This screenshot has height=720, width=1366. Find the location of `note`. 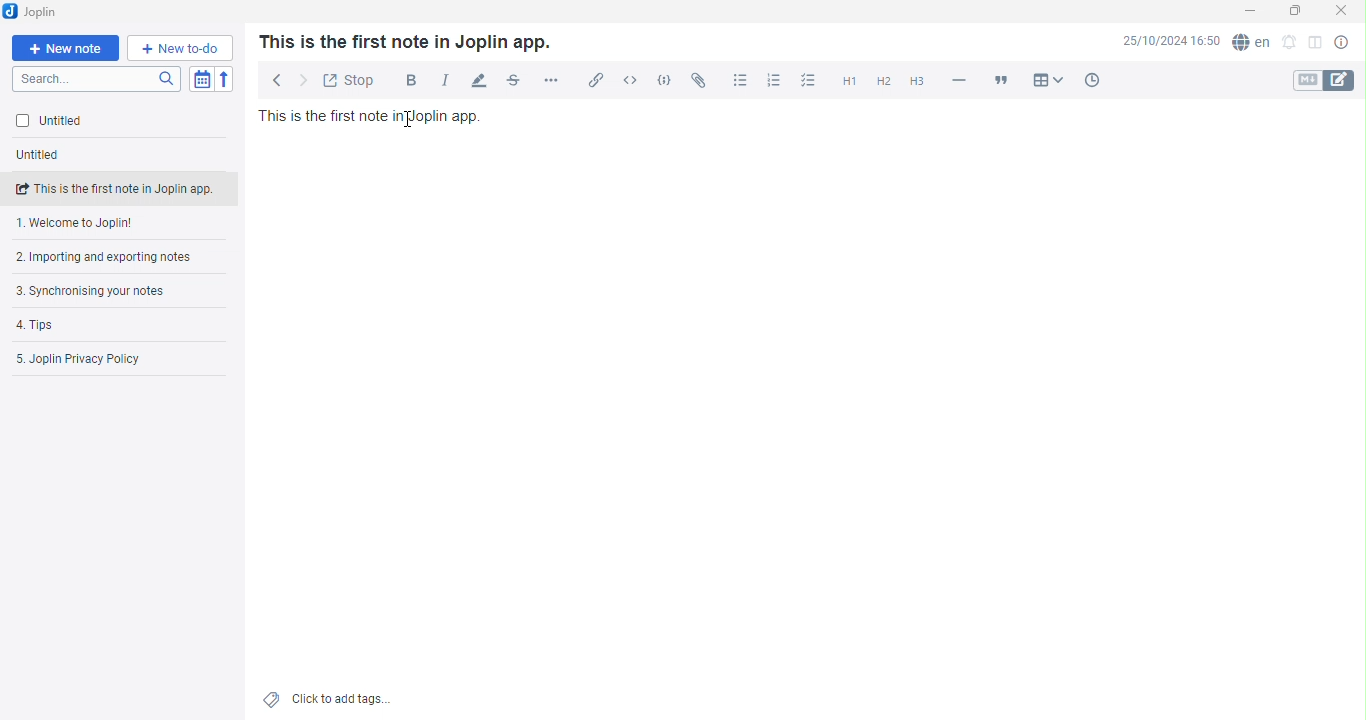

note is located at coordinates (125, 187).